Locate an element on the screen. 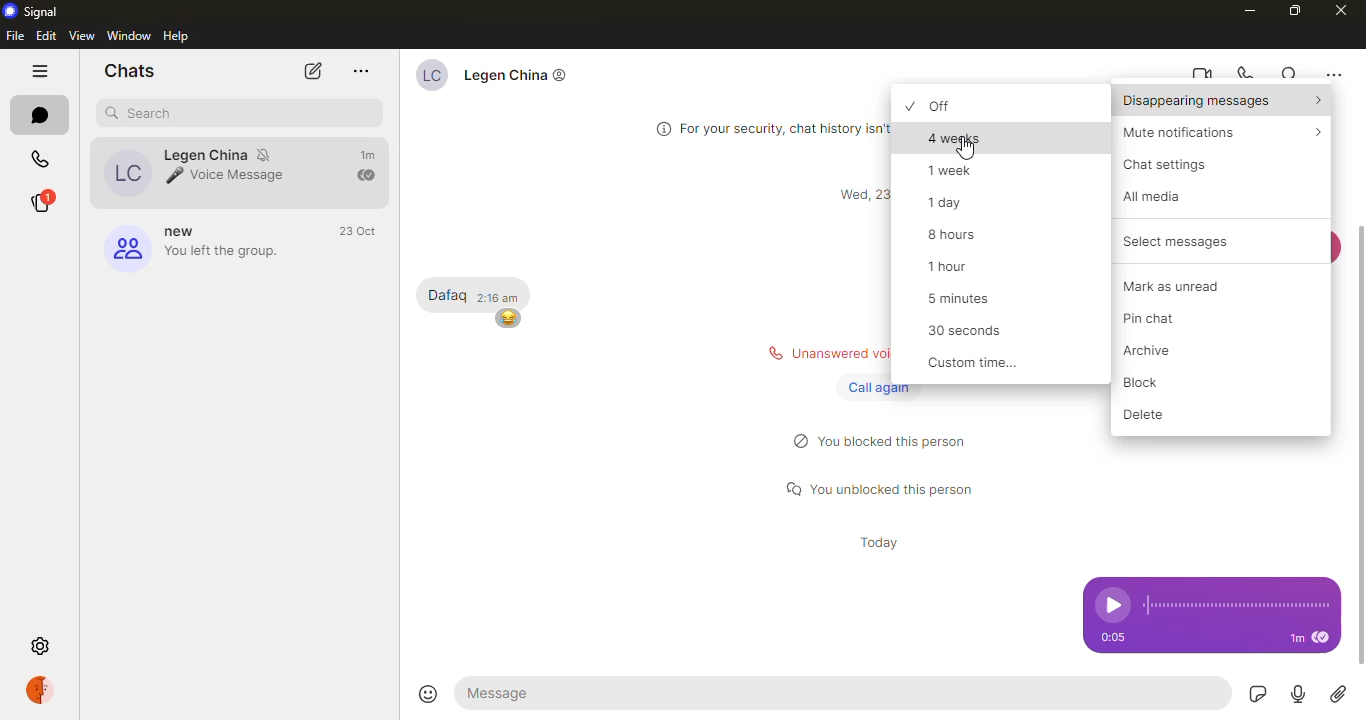  mark as unread is located at coordinates (1184, 285).